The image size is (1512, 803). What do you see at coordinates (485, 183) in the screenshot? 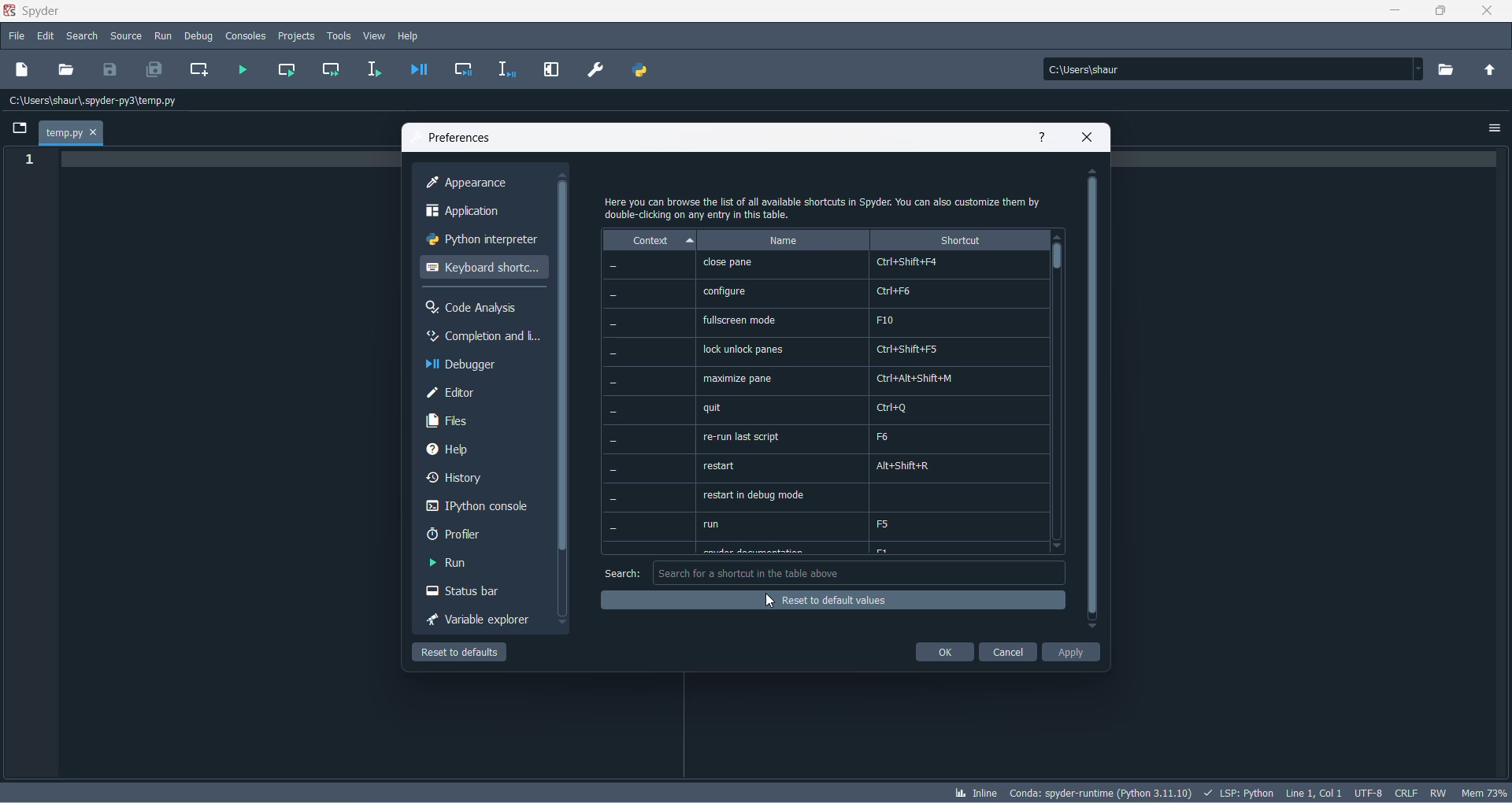
I see `appearance` at bounding box center [485, 183].